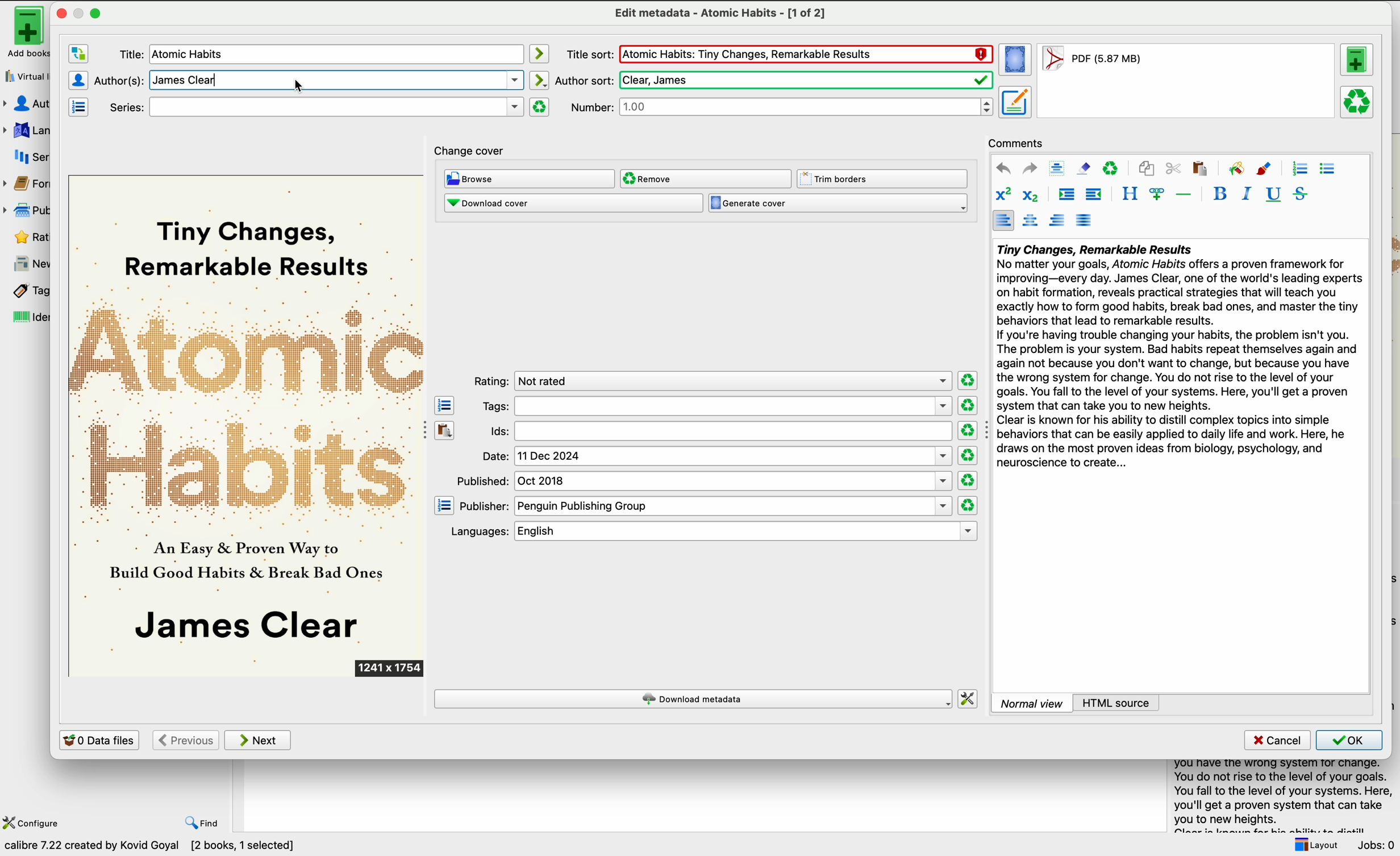 This screenshot has height=856, width=1400. Describe the element at coordinates (1148, 167) in the screenshot. I see `copy` at that location.